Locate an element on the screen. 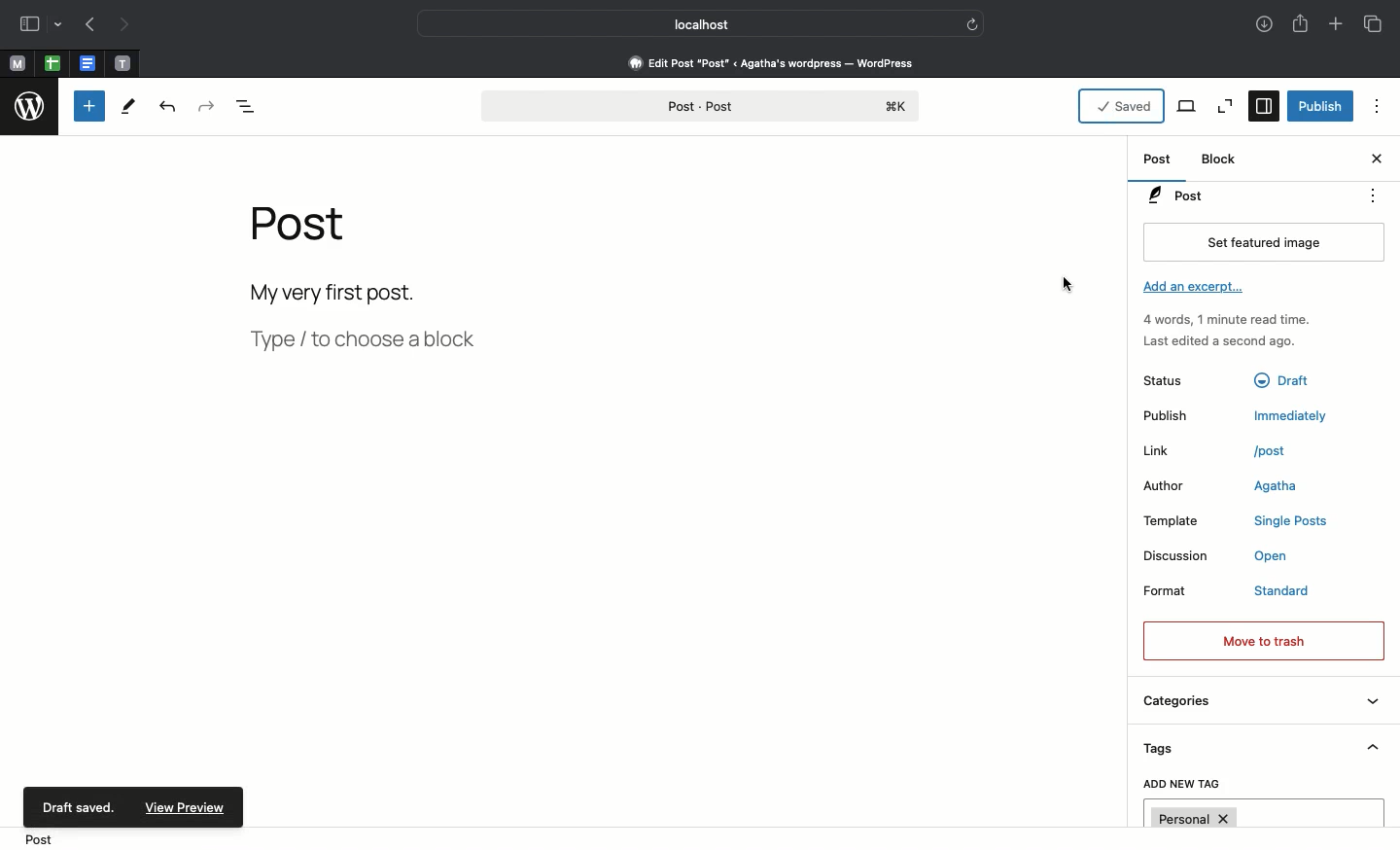 This screenshot has width=1400, height=850. Tools is located at coordinates (131, 107).